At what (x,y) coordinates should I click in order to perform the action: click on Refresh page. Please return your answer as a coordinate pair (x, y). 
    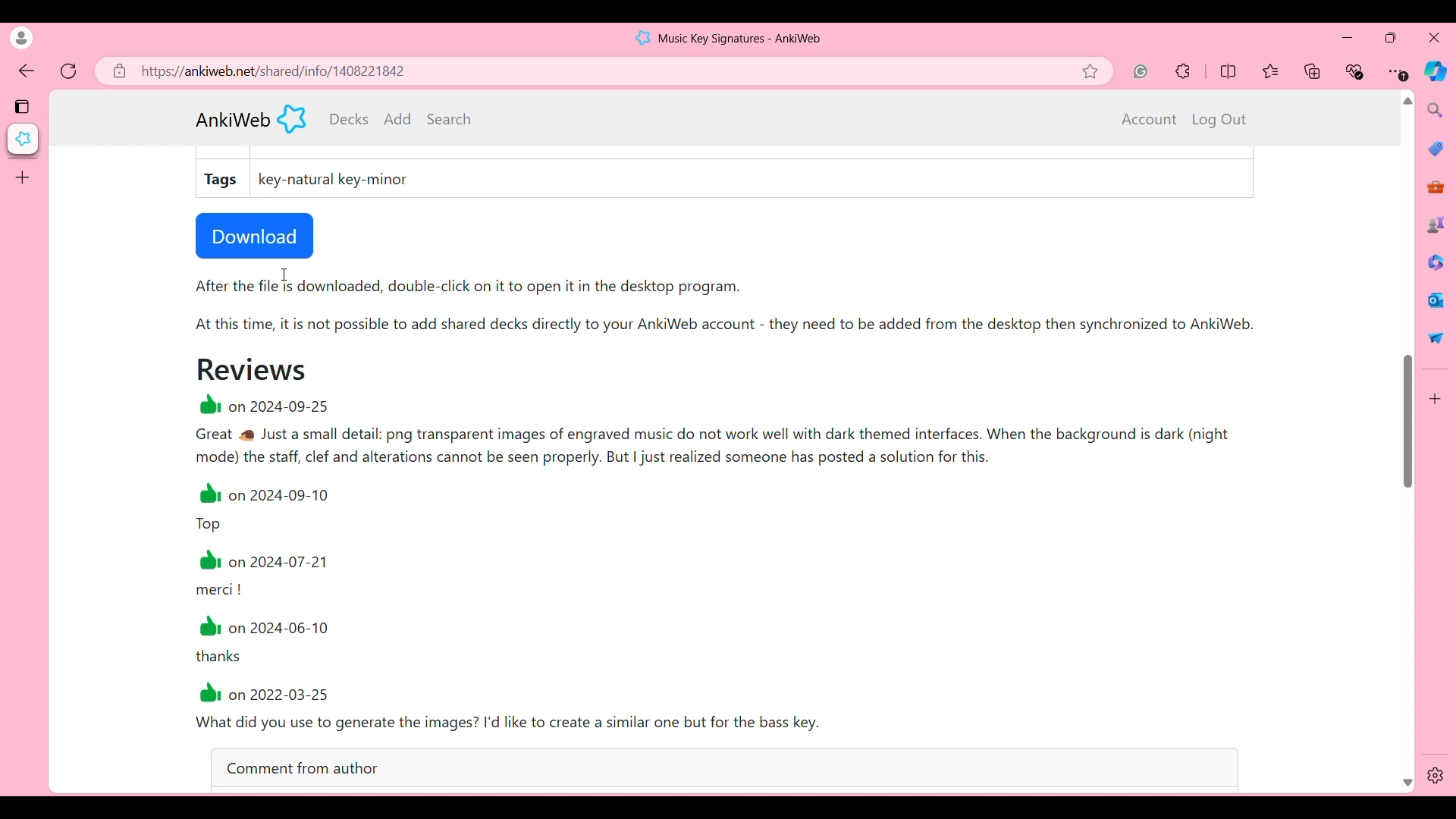
    Looking at the image, I should click on (69, 71).